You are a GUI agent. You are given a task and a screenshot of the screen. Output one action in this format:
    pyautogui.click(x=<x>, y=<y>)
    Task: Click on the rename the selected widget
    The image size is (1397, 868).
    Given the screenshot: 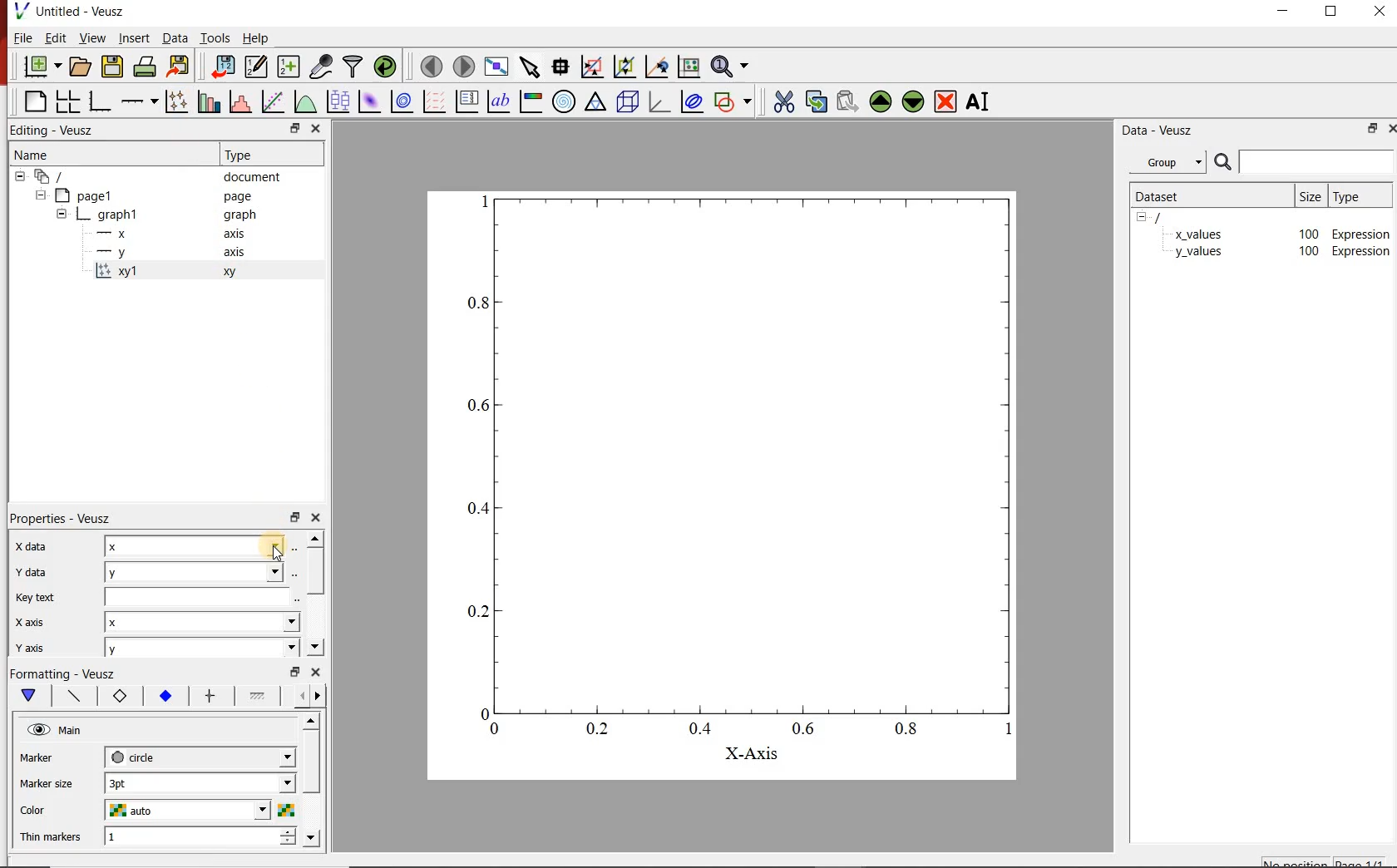 What is the action you would take?
    pyautogui.click(x=980, y=104)
    